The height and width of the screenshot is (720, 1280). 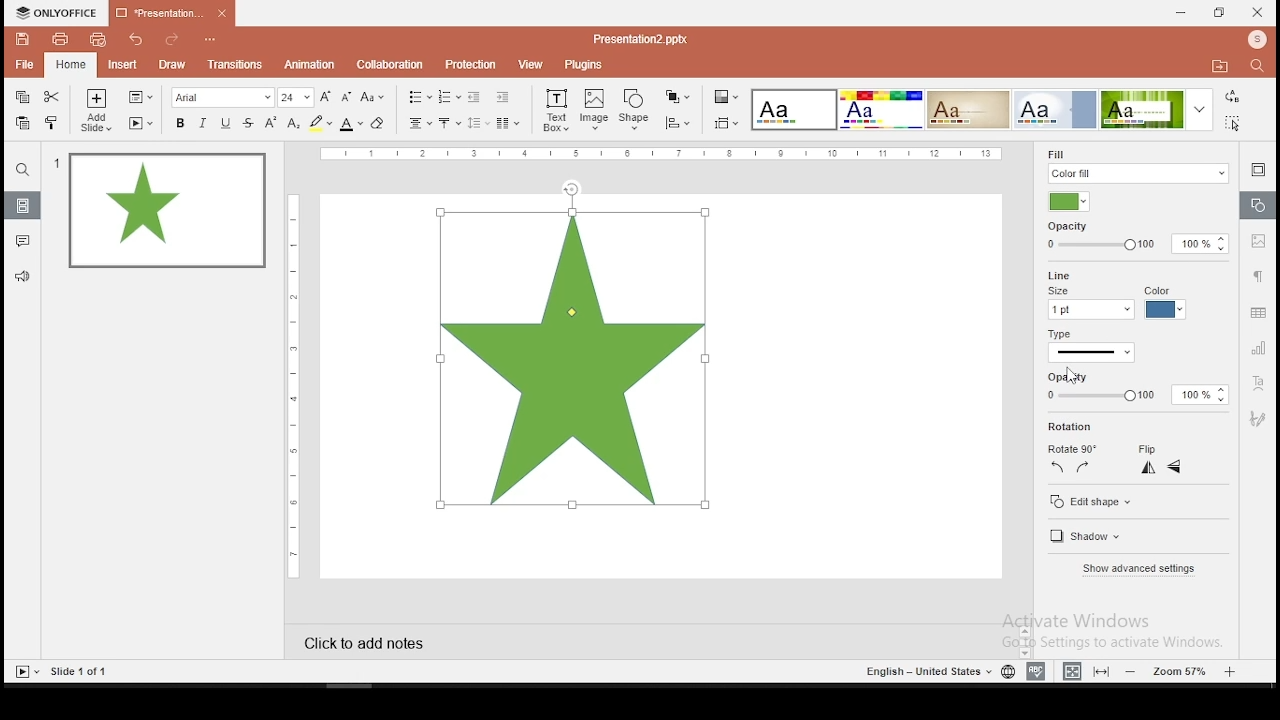 What do you see at coordinates (297, 383) in the screenshot?
I see `vertical scale` at bounding box center [297, 383].